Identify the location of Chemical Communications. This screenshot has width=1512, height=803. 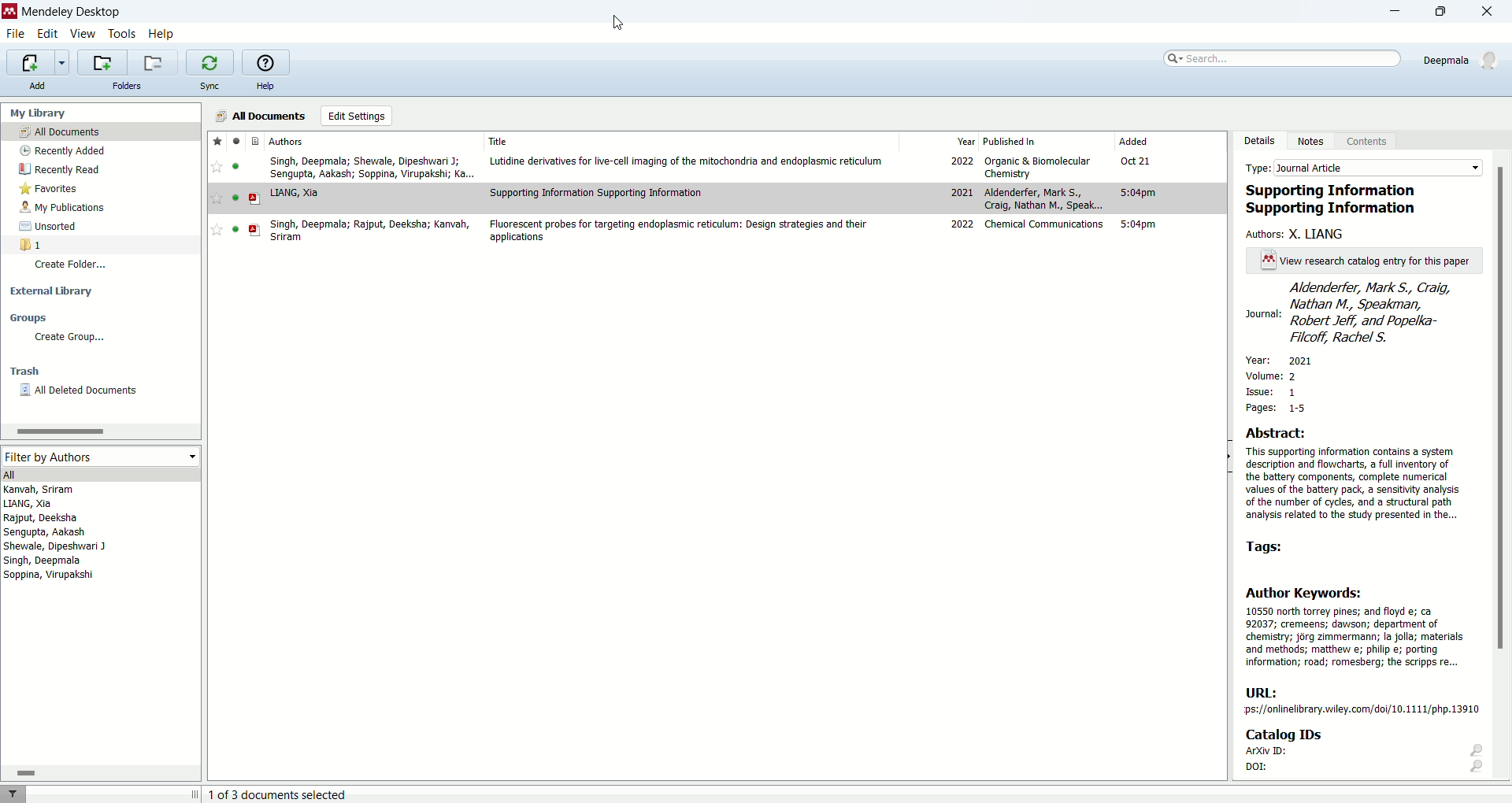
(1044, 224).